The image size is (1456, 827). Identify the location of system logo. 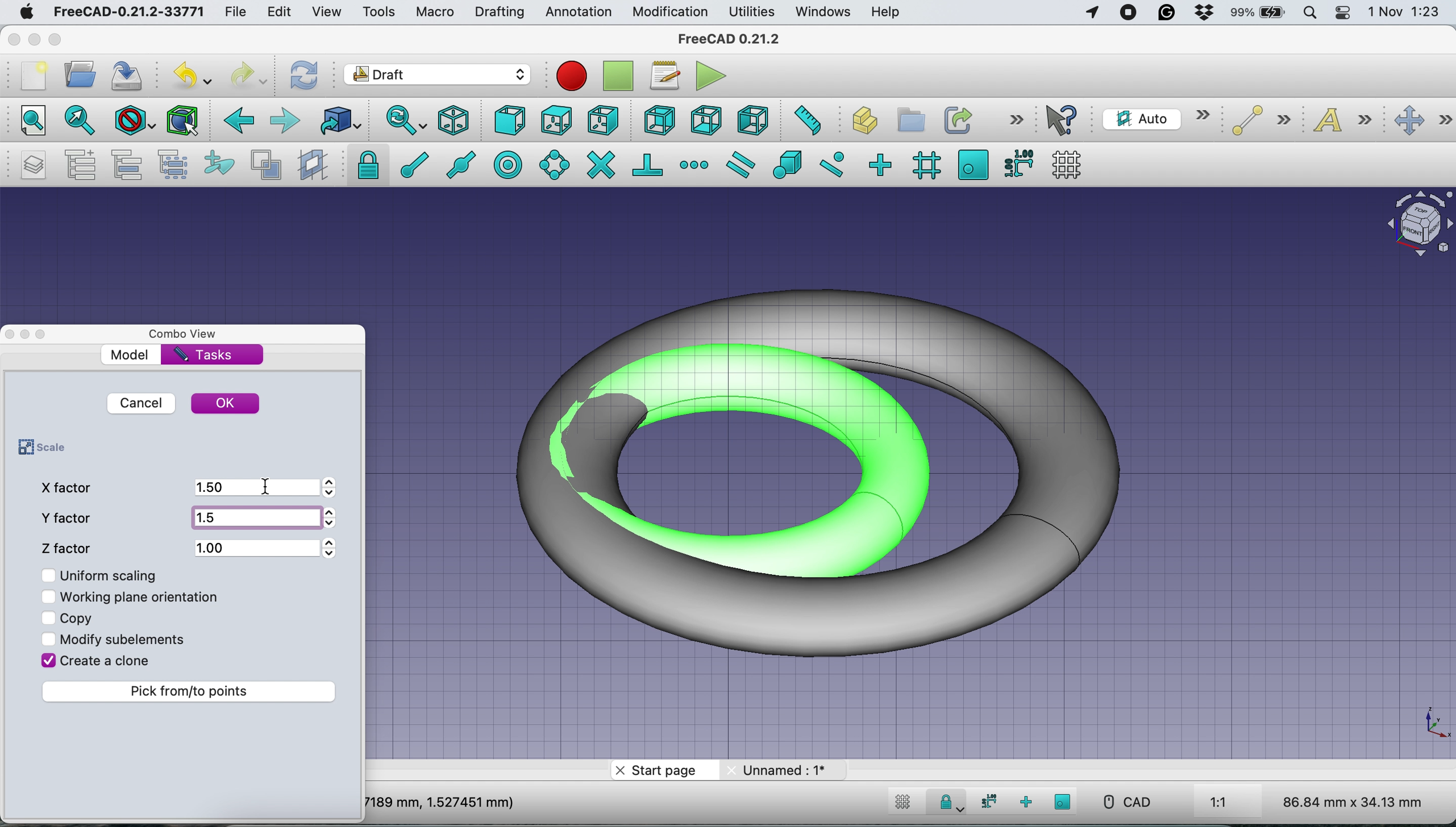
(24, 14).